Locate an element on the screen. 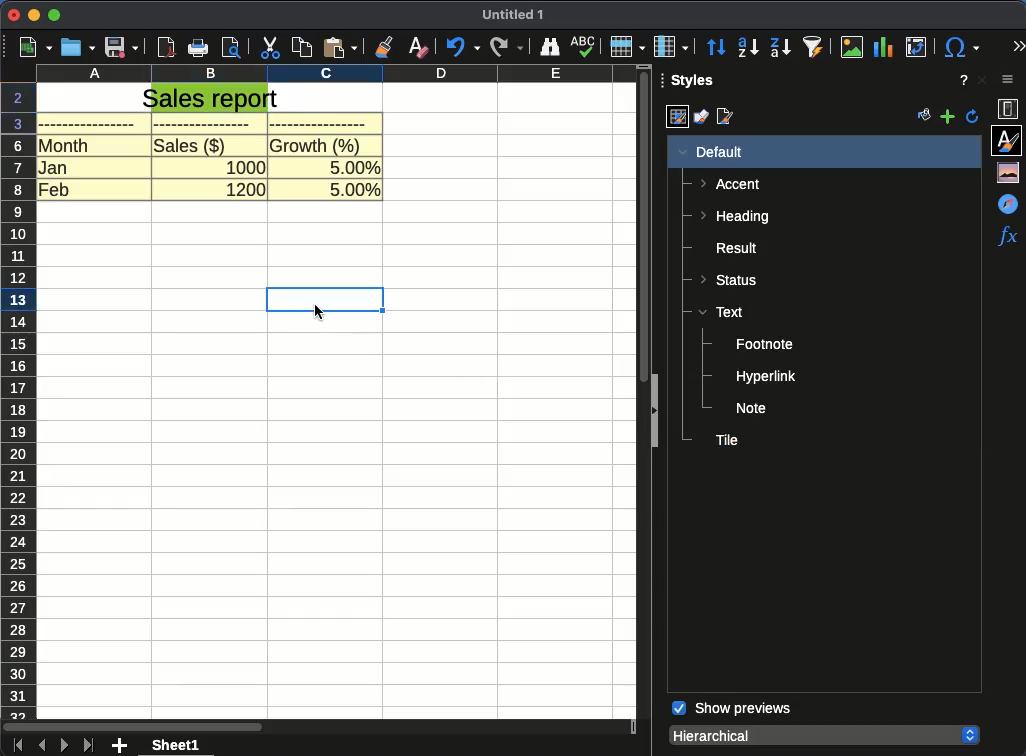 This screenshot has width=1026, height=756. print preview is located at coordinates (232, 47).